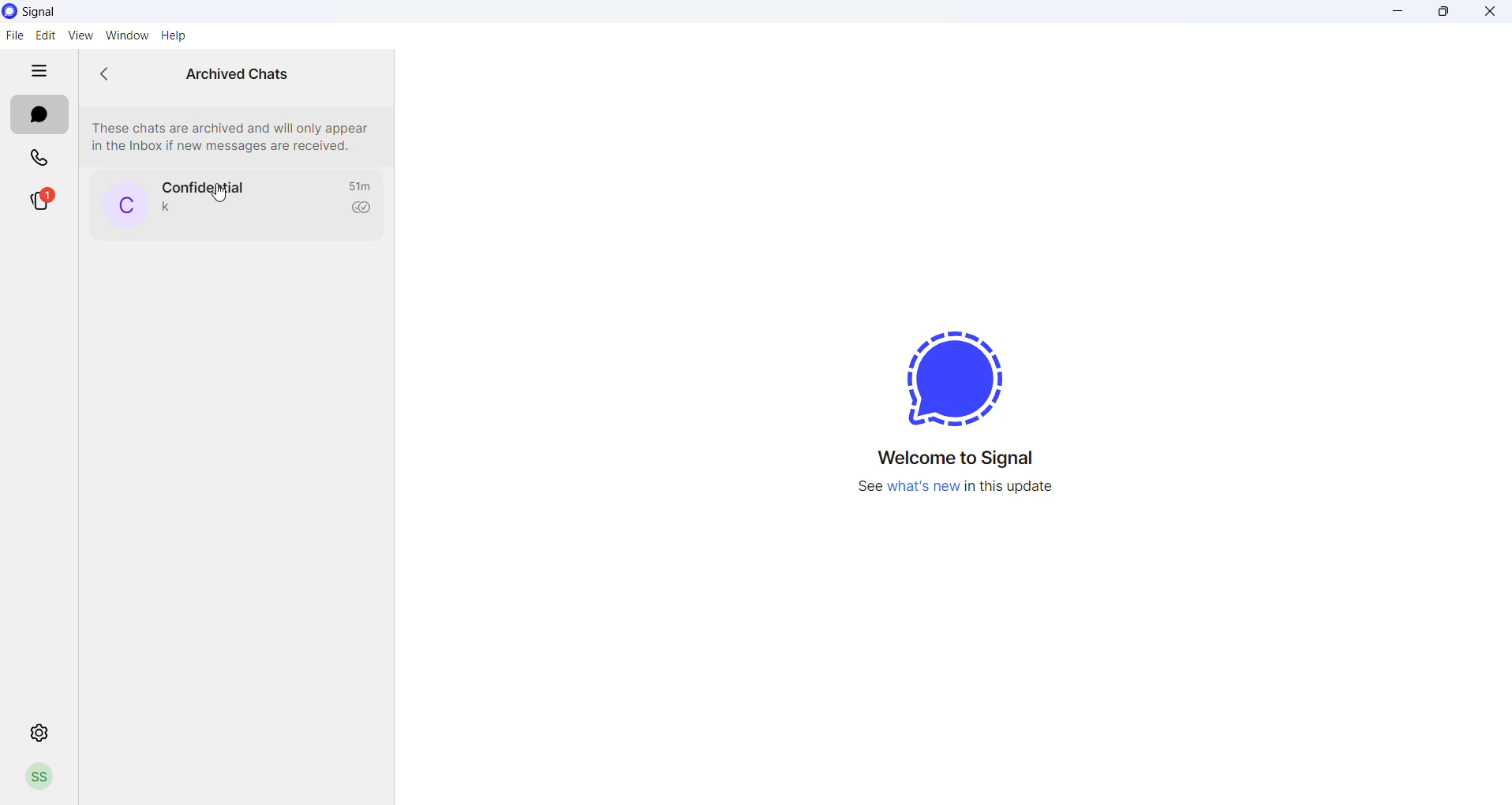  What do you see at coordinates (235, 69) in the screenshot?
I see `archived chats heading` at bounding box center [235, 69].